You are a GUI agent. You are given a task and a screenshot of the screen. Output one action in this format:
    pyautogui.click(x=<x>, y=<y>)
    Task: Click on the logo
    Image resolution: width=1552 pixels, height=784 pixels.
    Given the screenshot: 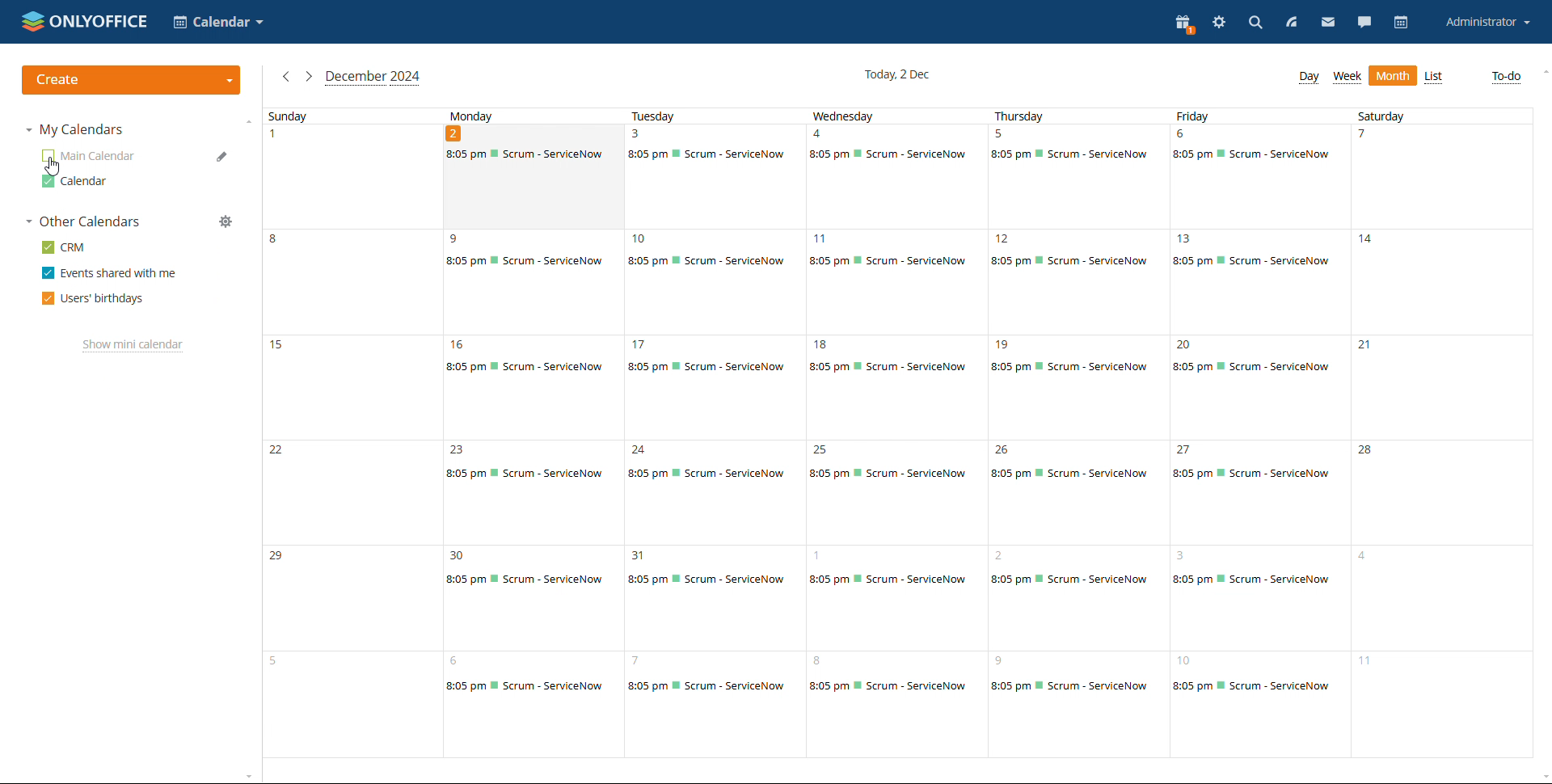 What is the action you would take?
    pyautogui.click(x=84, y=22)
    